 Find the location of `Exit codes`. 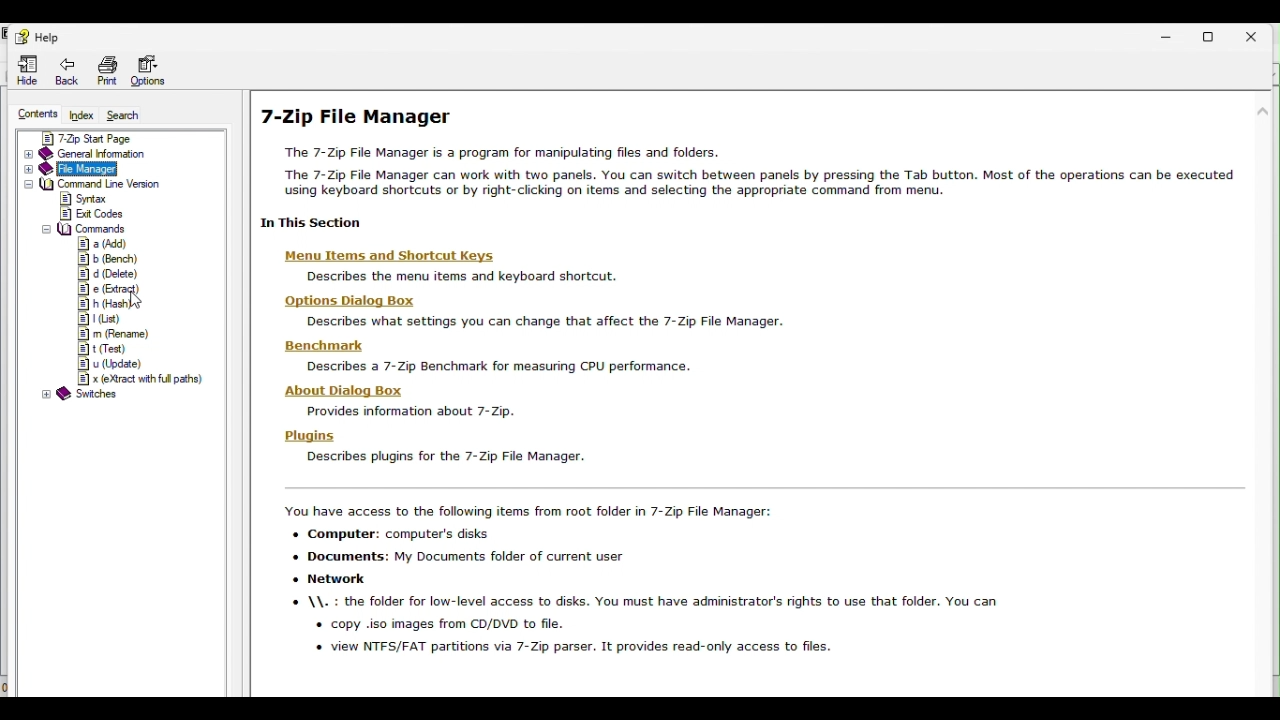

Exit codes is located at coordinates (90, 214).